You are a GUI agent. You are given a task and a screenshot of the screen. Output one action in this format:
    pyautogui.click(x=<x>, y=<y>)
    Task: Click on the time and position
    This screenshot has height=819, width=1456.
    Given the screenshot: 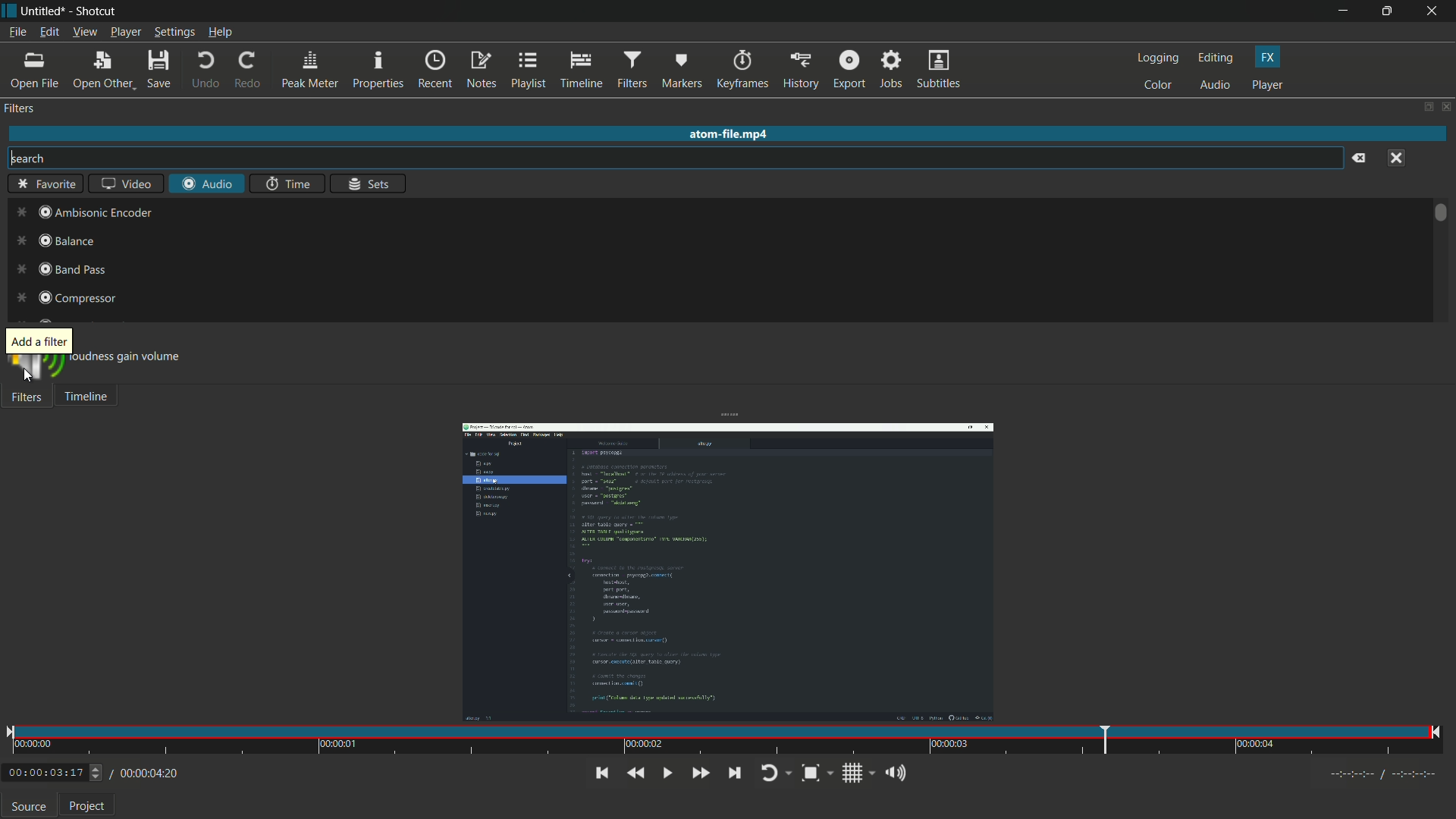 What is the action you would take?
    pyautogui.click(x=726, y=742)
    